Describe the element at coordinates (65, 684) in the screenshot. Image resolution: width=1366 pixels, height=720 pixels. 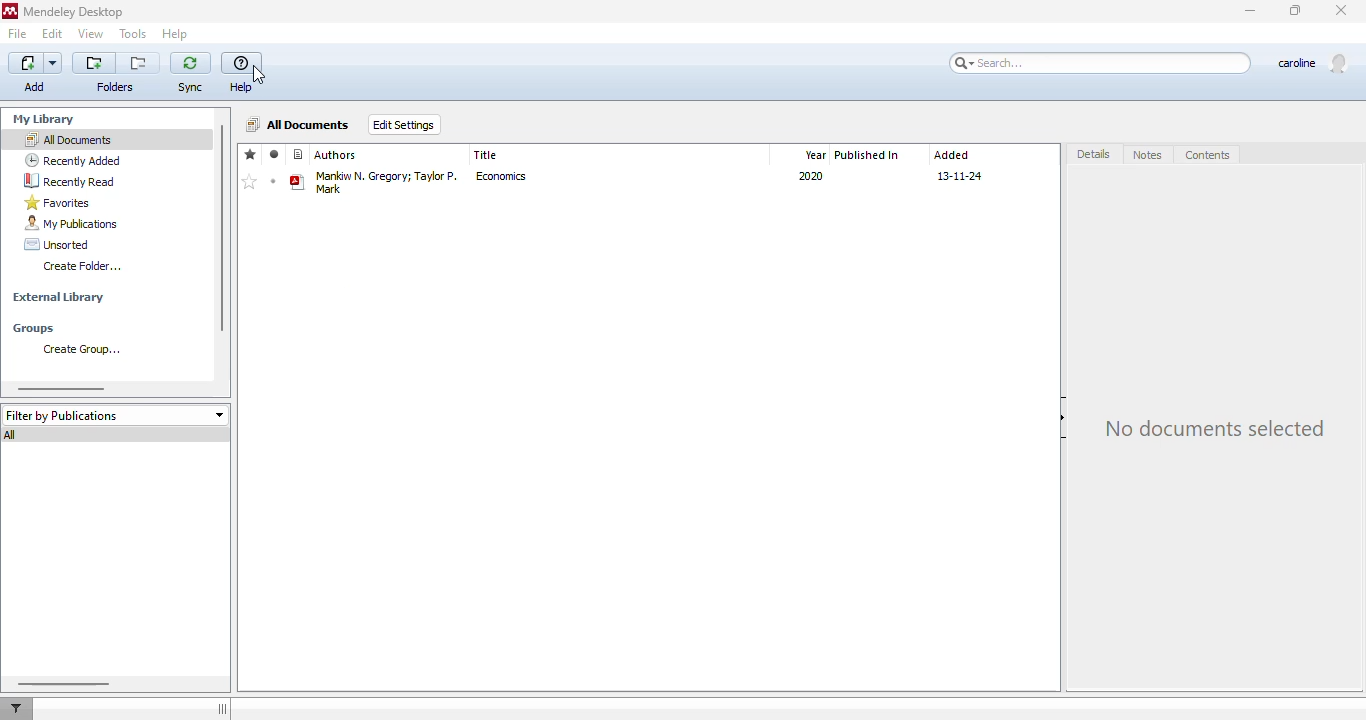
I see `horizontal scroll bar` at that location.